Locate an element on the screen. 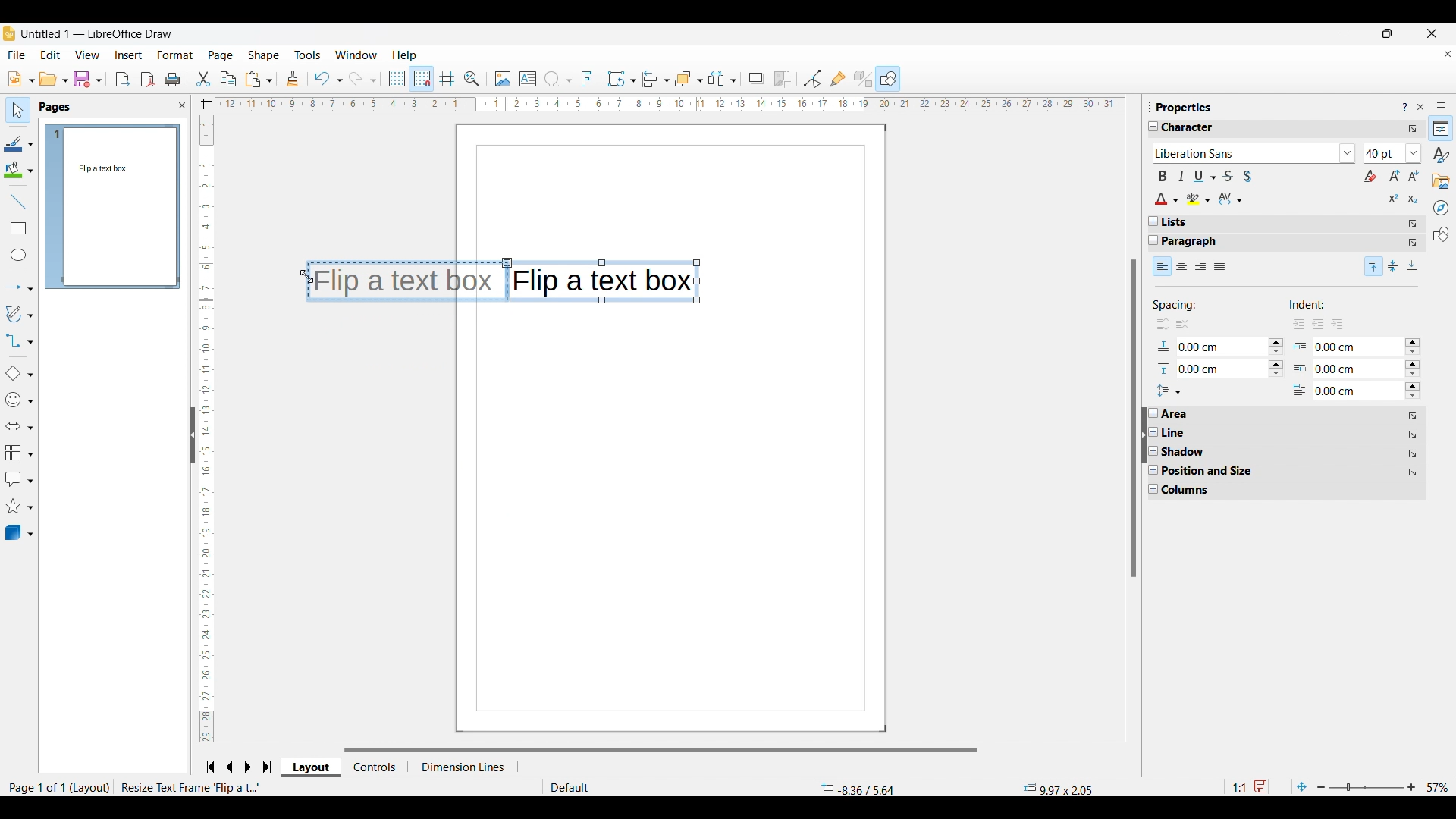 Image resolution: width=1456 pixels, height=819 pixels. Zoom and pan is located at coordinates (472, 80).